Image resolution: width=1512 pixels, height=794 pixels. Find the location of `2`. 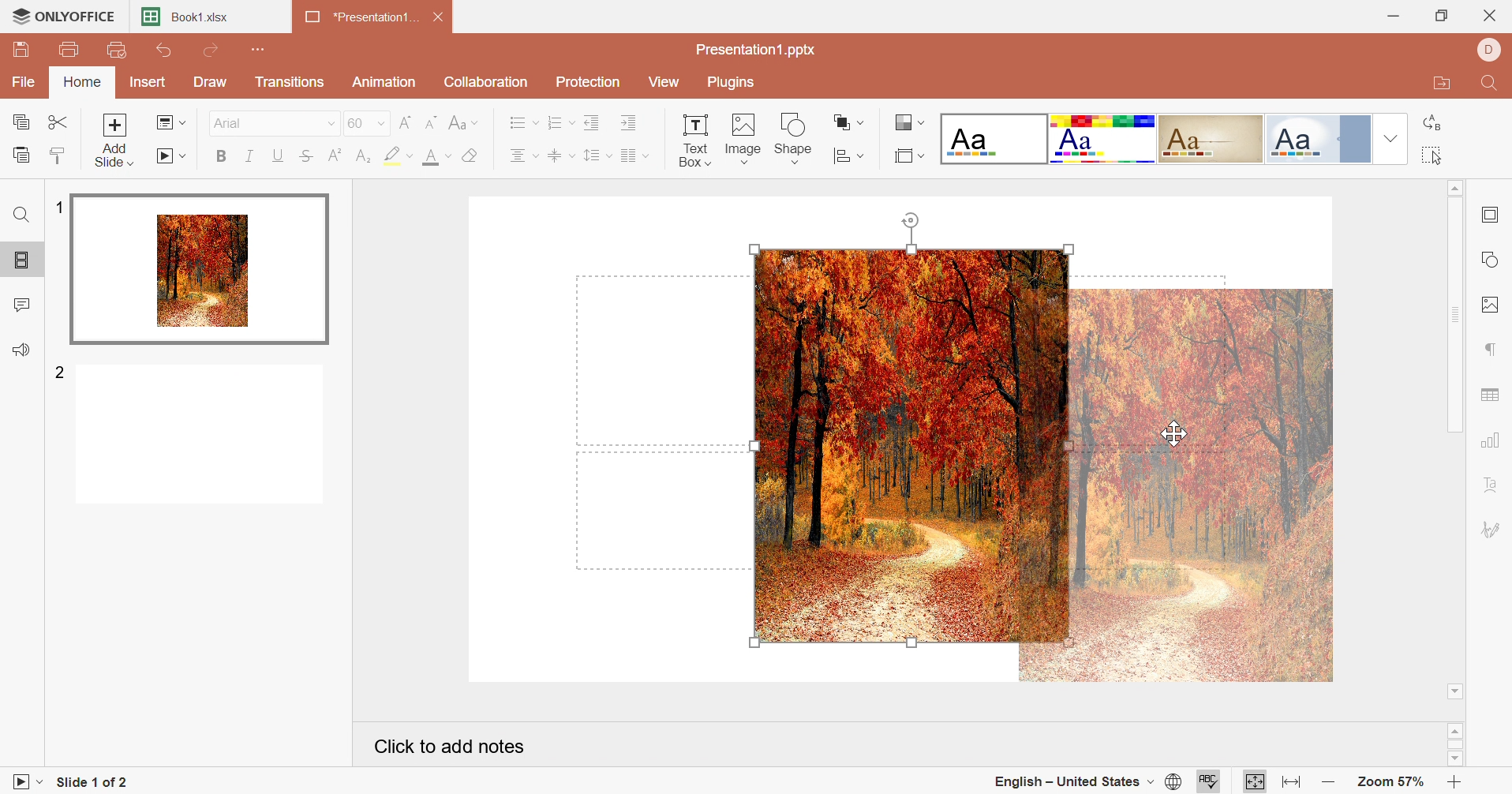

2 is located at coordinates (61, 370).